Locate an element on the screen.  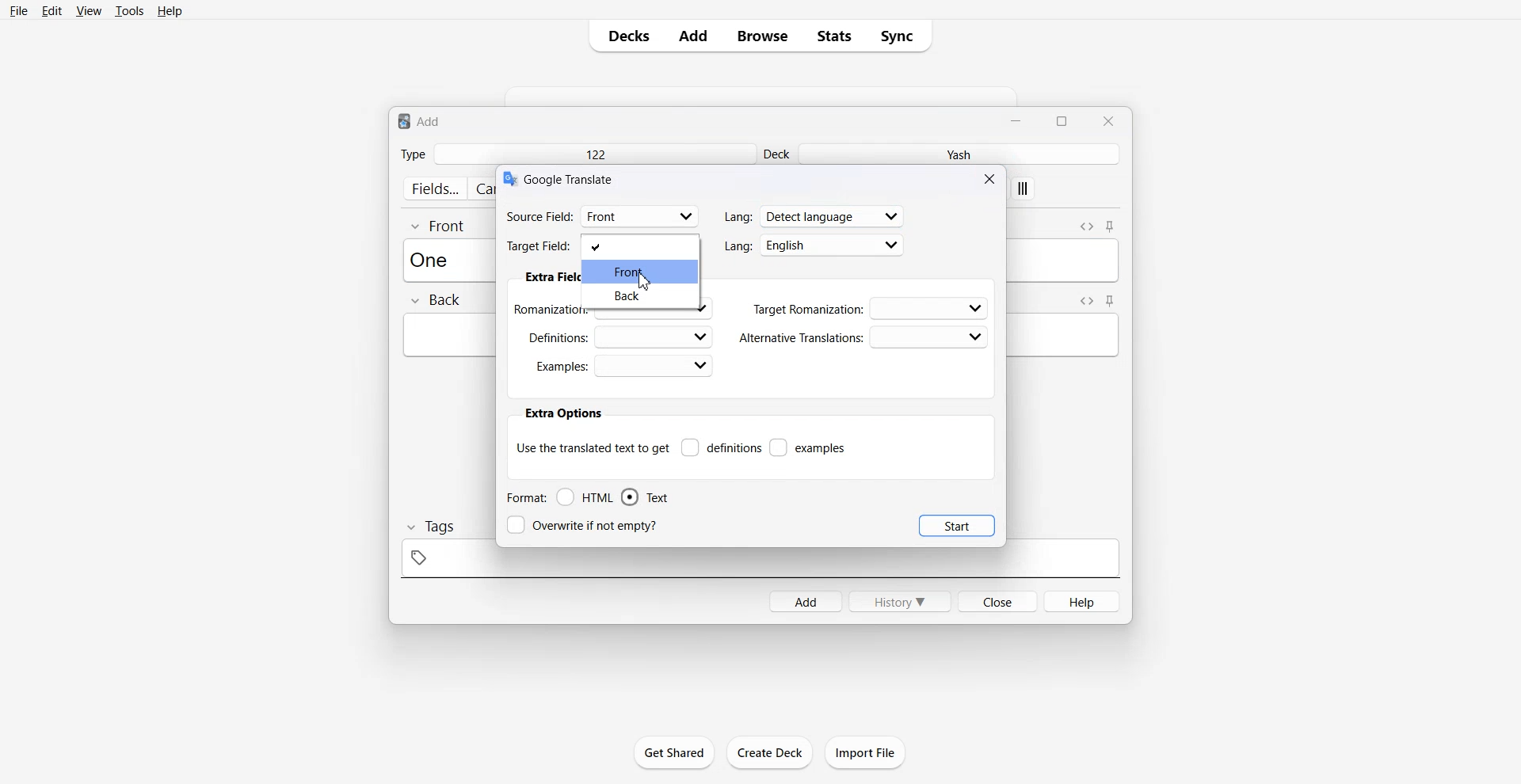
logo is located at coordinates (509, 179).